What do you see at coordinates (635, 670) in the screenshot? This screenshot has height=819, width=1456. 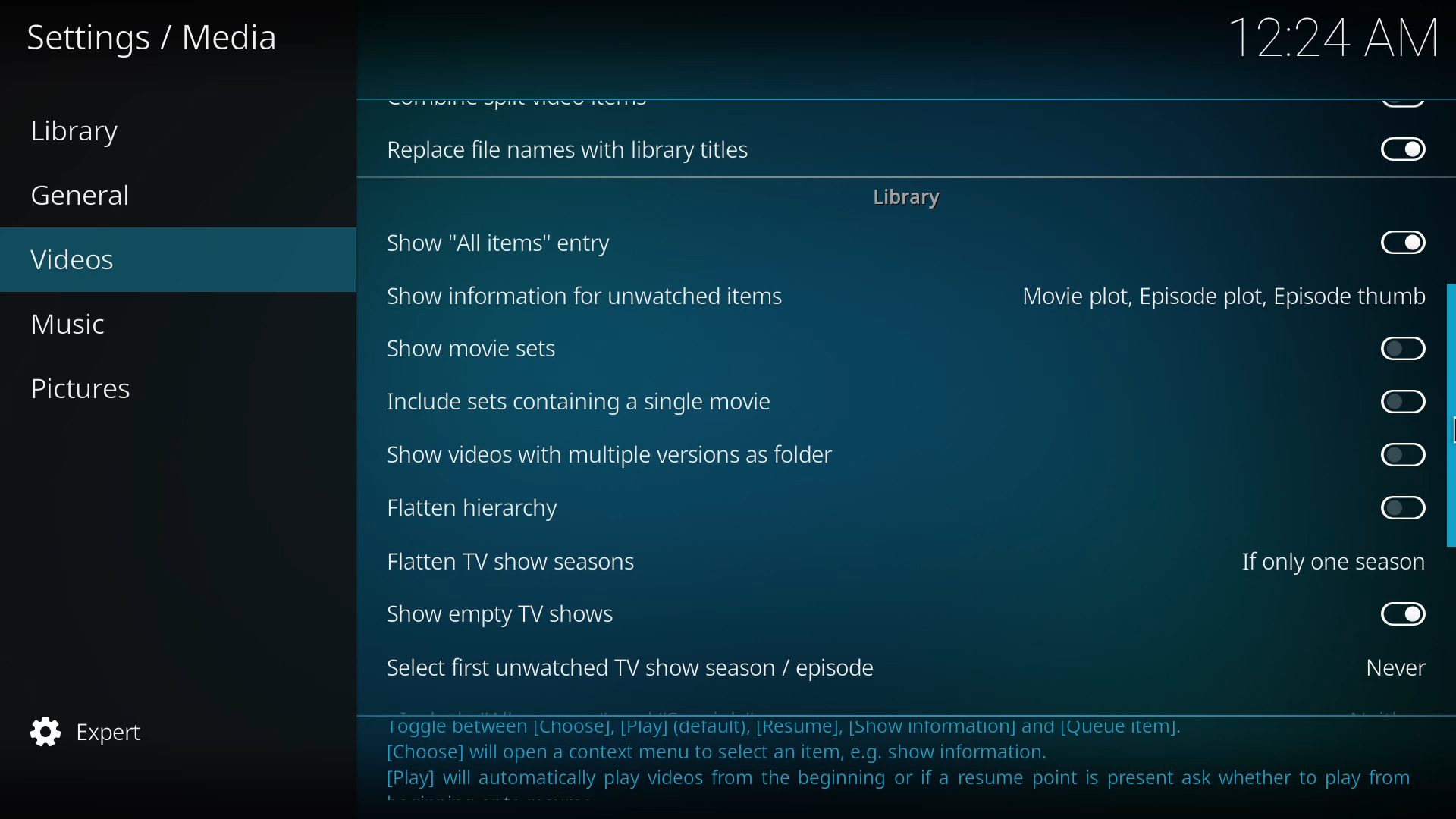 I see `select first tv season` at bounding box center [635, 670].